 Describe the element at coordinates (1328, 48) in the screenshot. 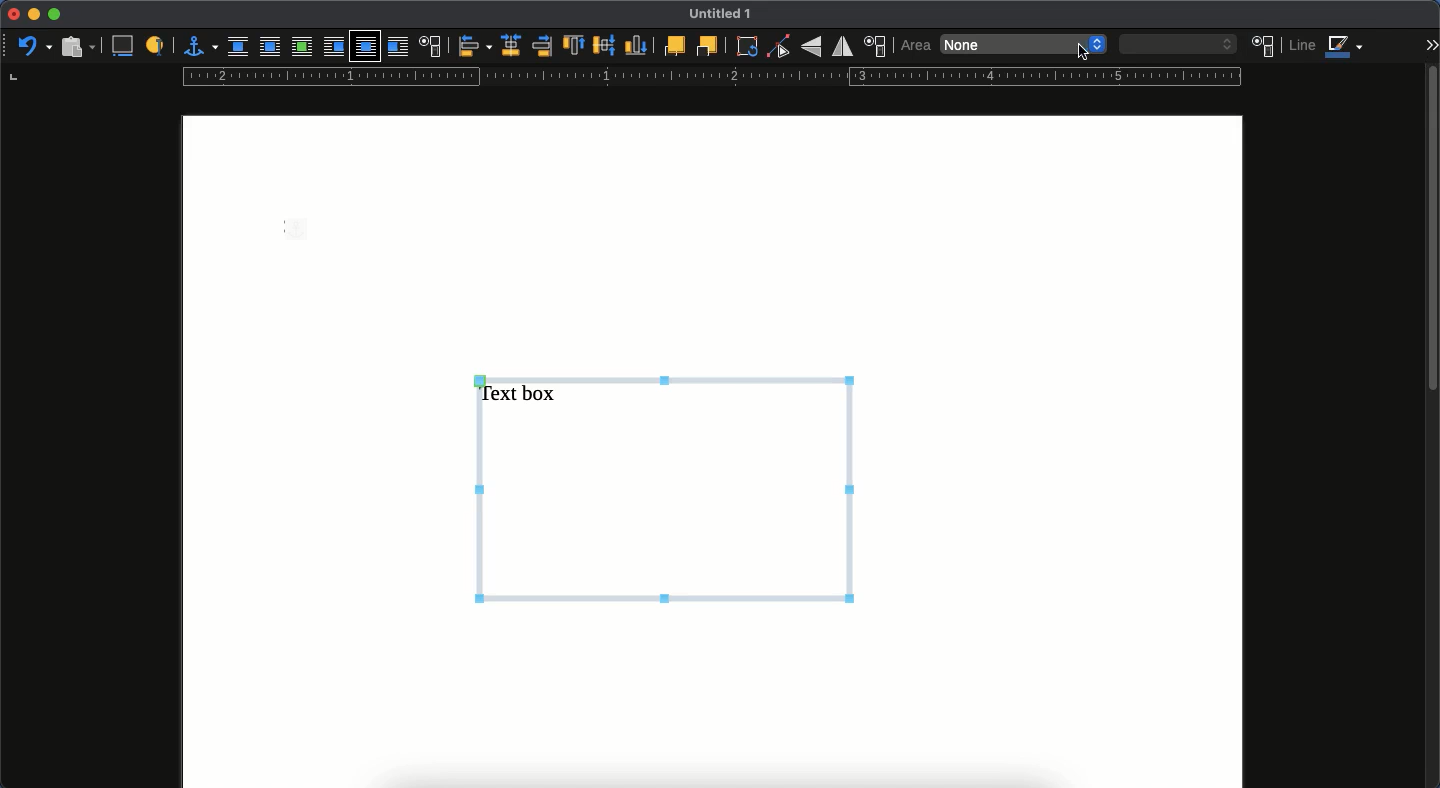

I see `line color` at that location.